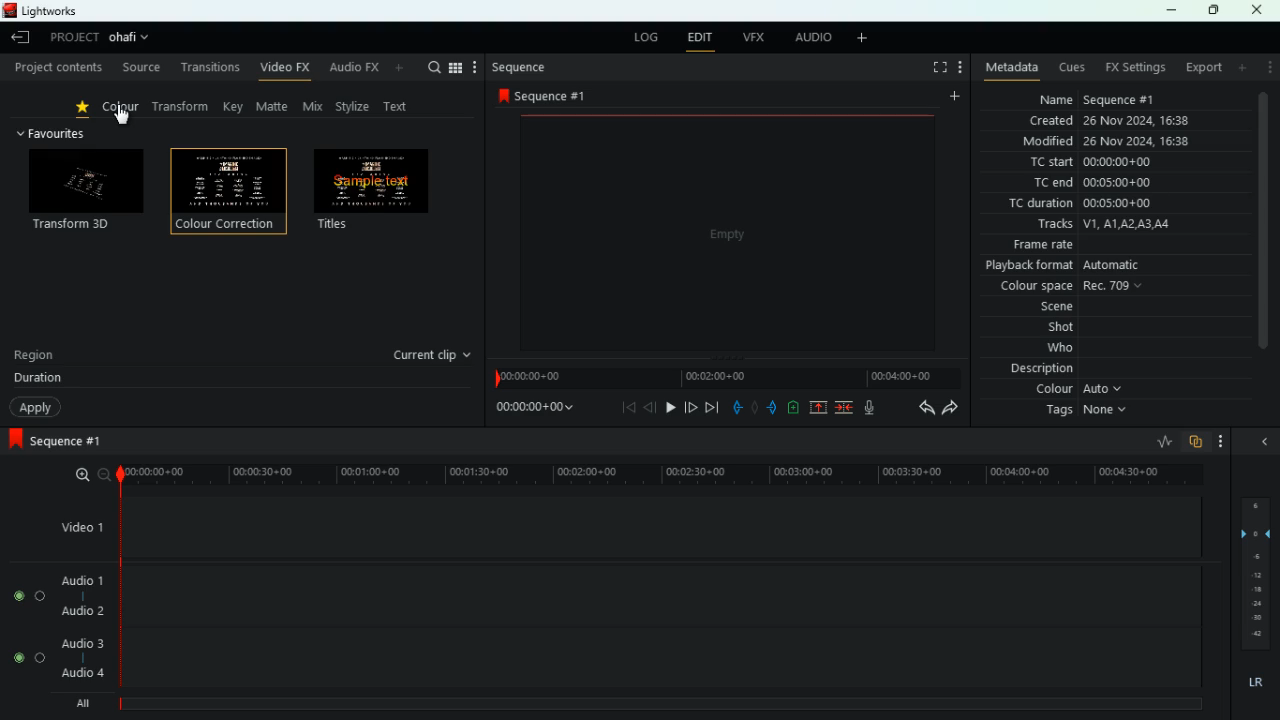  I want to click on key, so click(234, 107).